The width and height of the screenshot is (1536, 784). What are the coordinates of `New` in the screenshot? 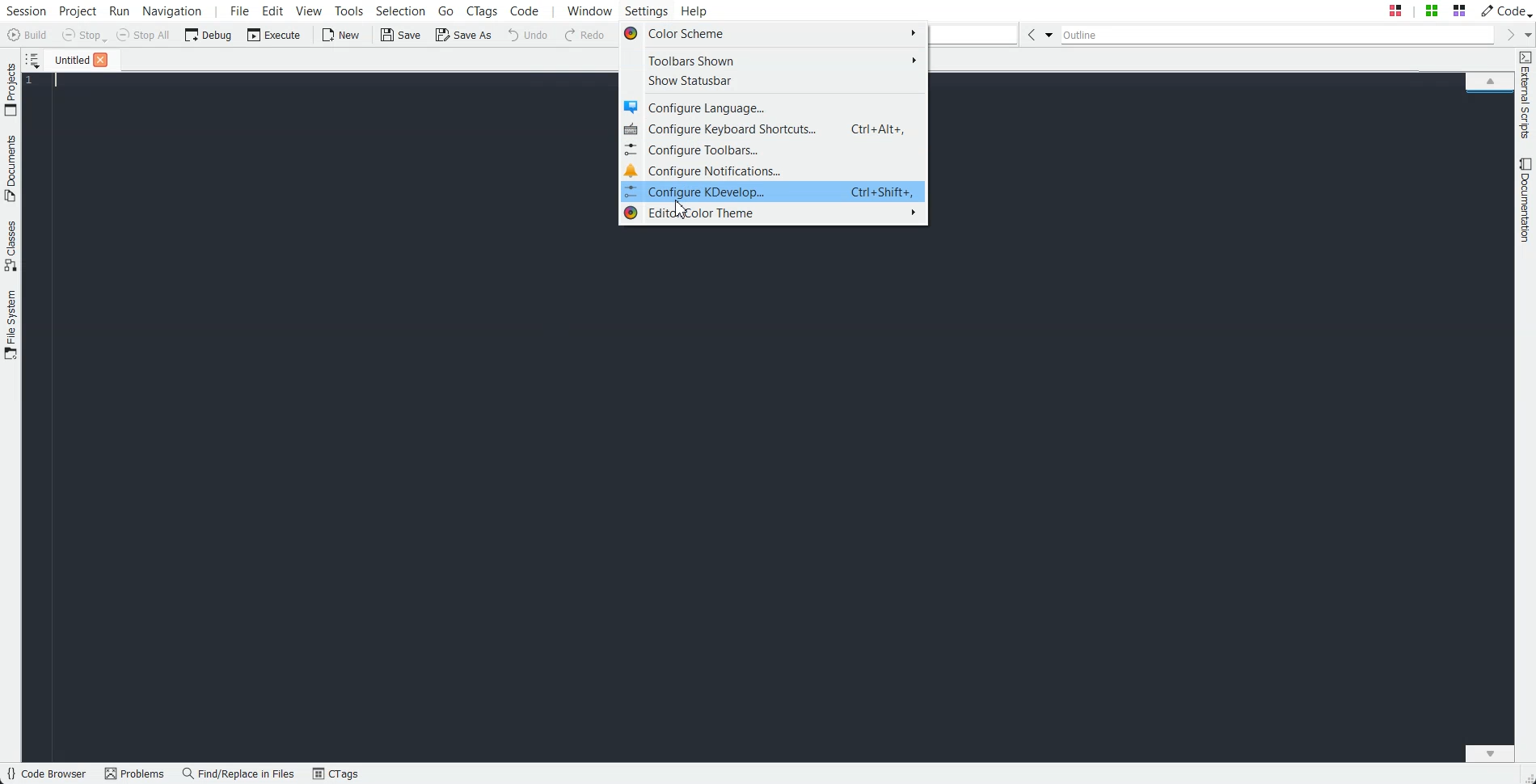 It's located at (340, 35).